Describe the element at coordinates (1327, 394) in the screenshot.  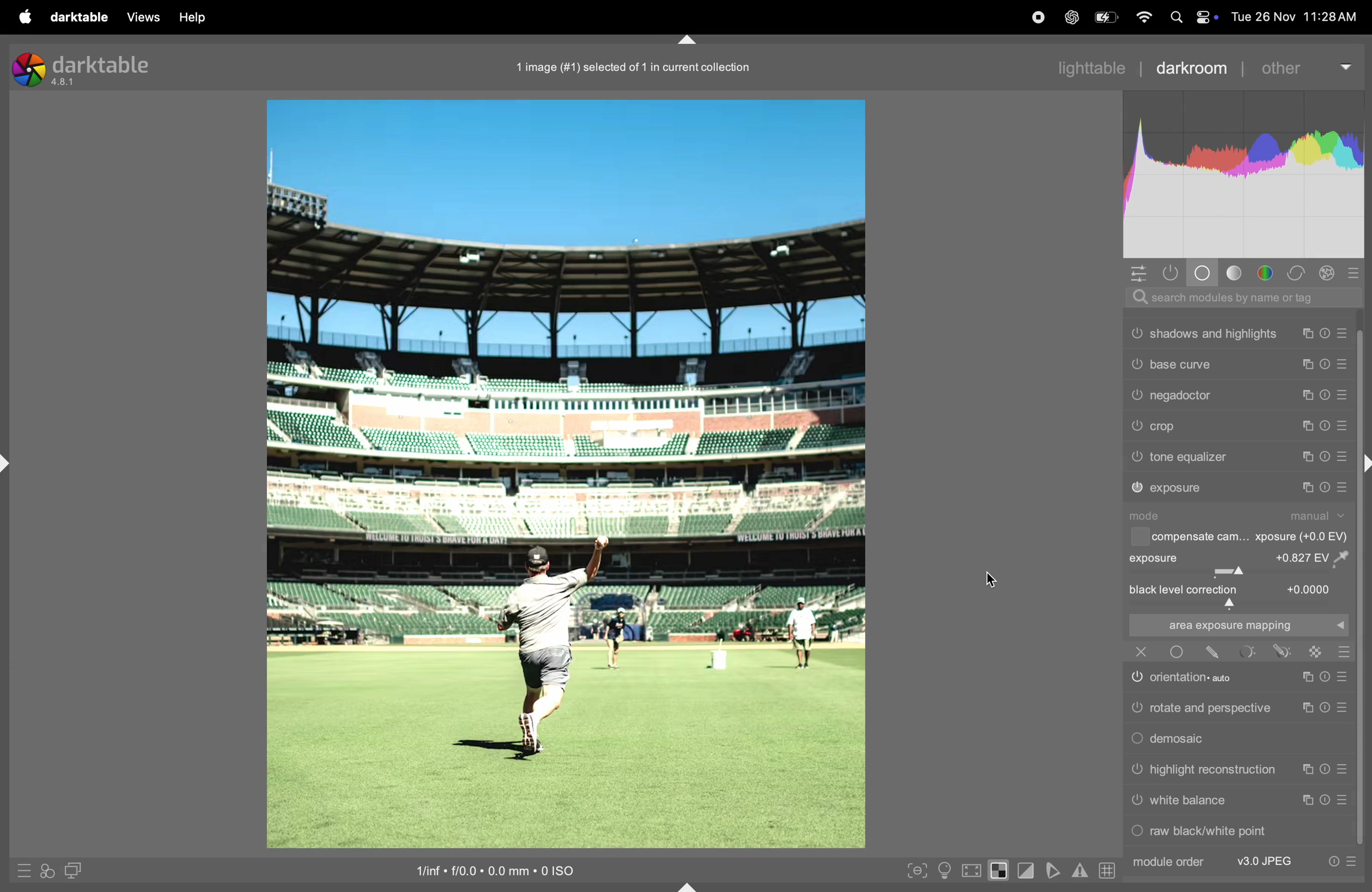
I see `reset presets` at that location.